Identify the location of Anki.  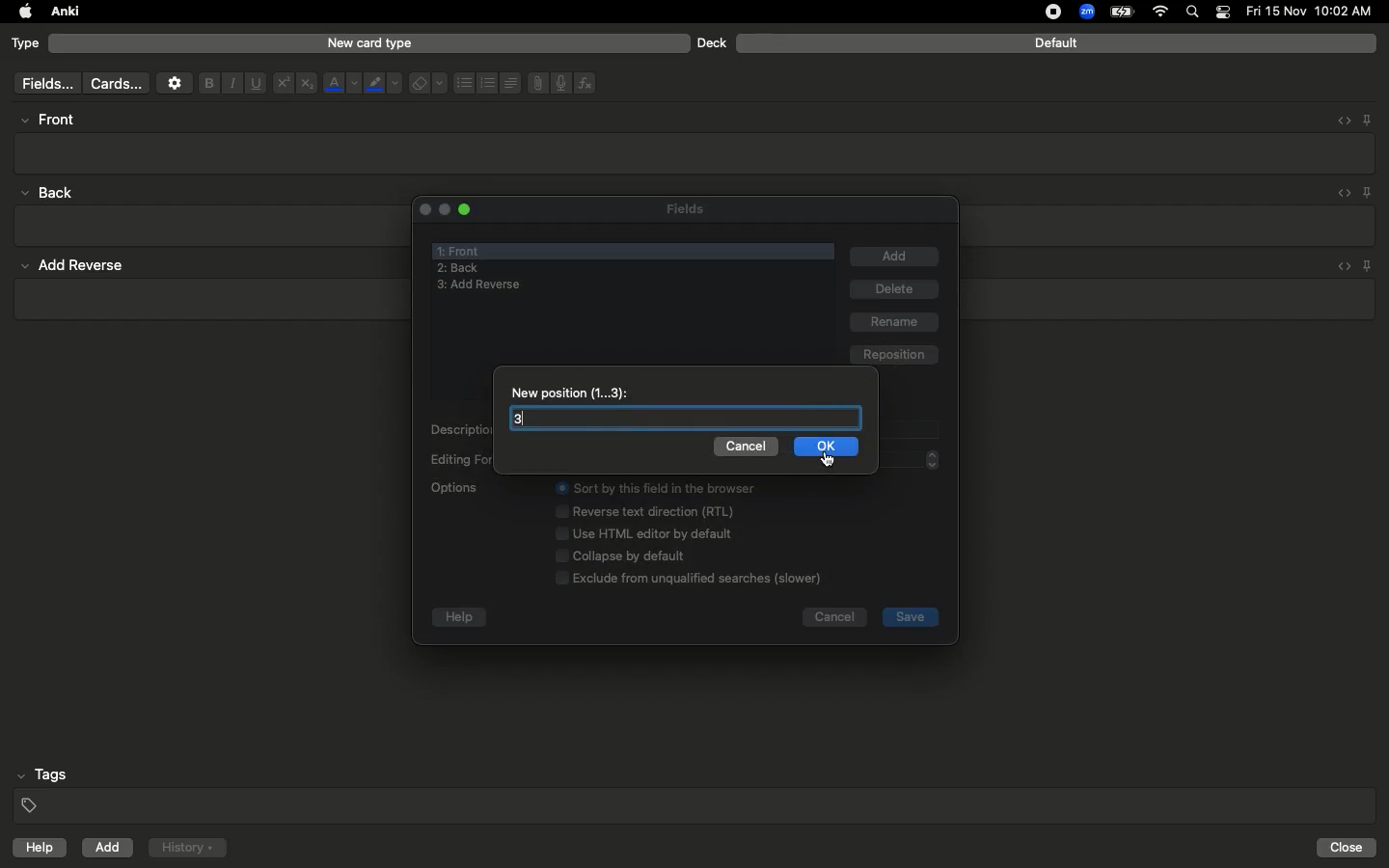
(64, 13).